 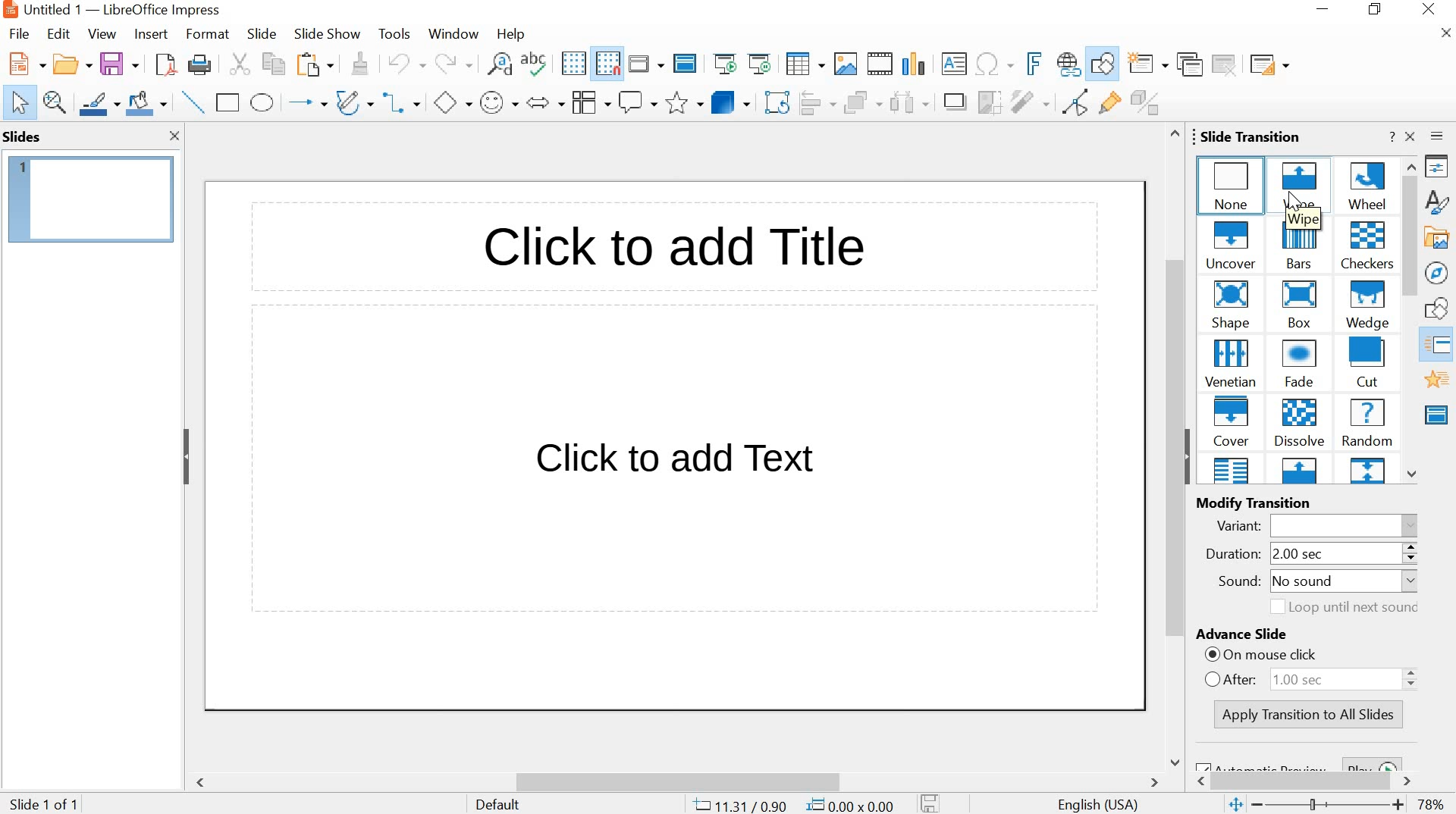 What do you see at coordinates (510, 35) in the screenshot?
I see `HELP` at bounding box center [510, 35].